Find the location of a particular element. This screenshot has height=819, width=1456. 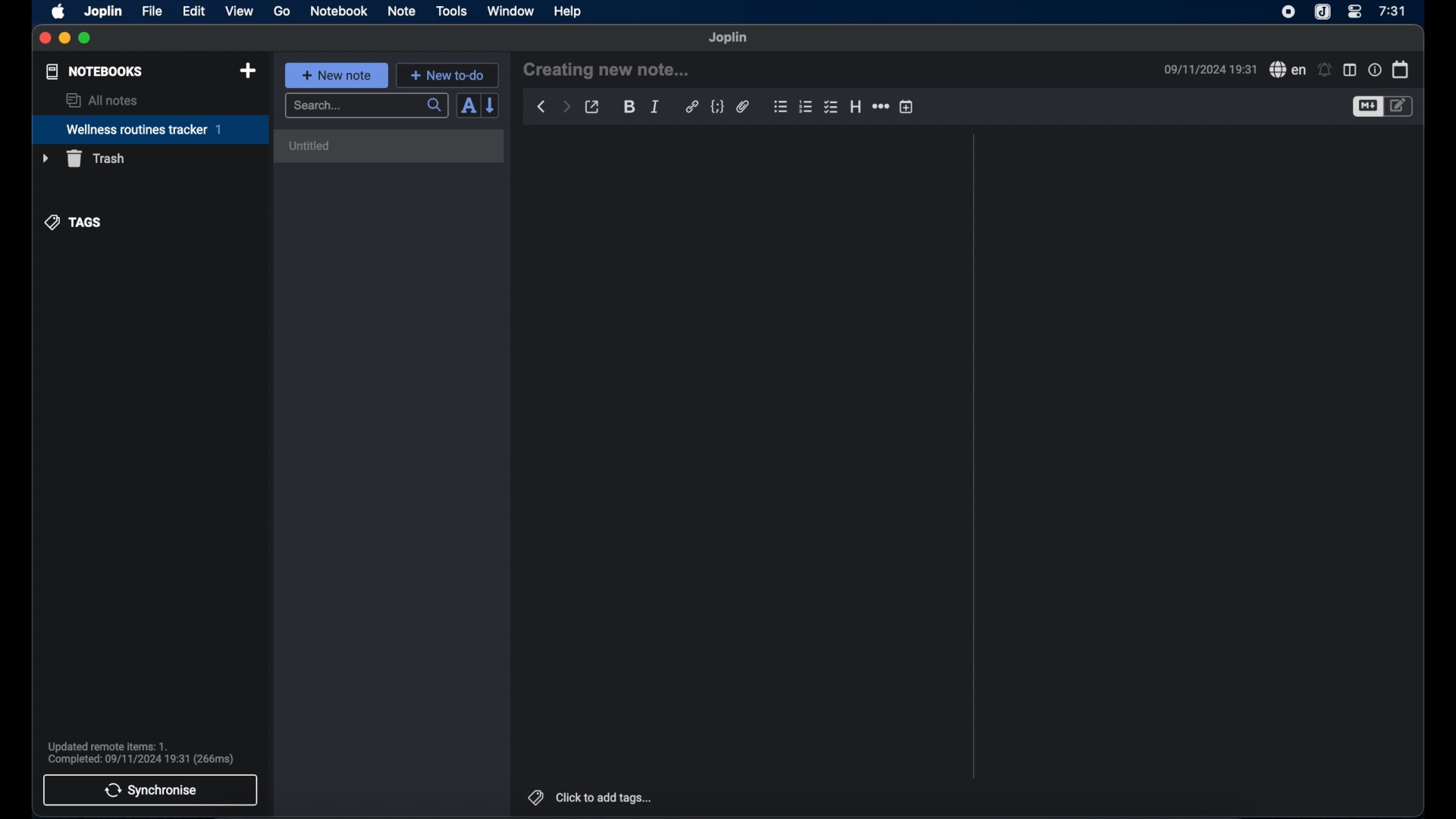

Updated remote items: 1. Complete: 09/11/2024 19:31 (266ms) is located at coordinates (147, 751).